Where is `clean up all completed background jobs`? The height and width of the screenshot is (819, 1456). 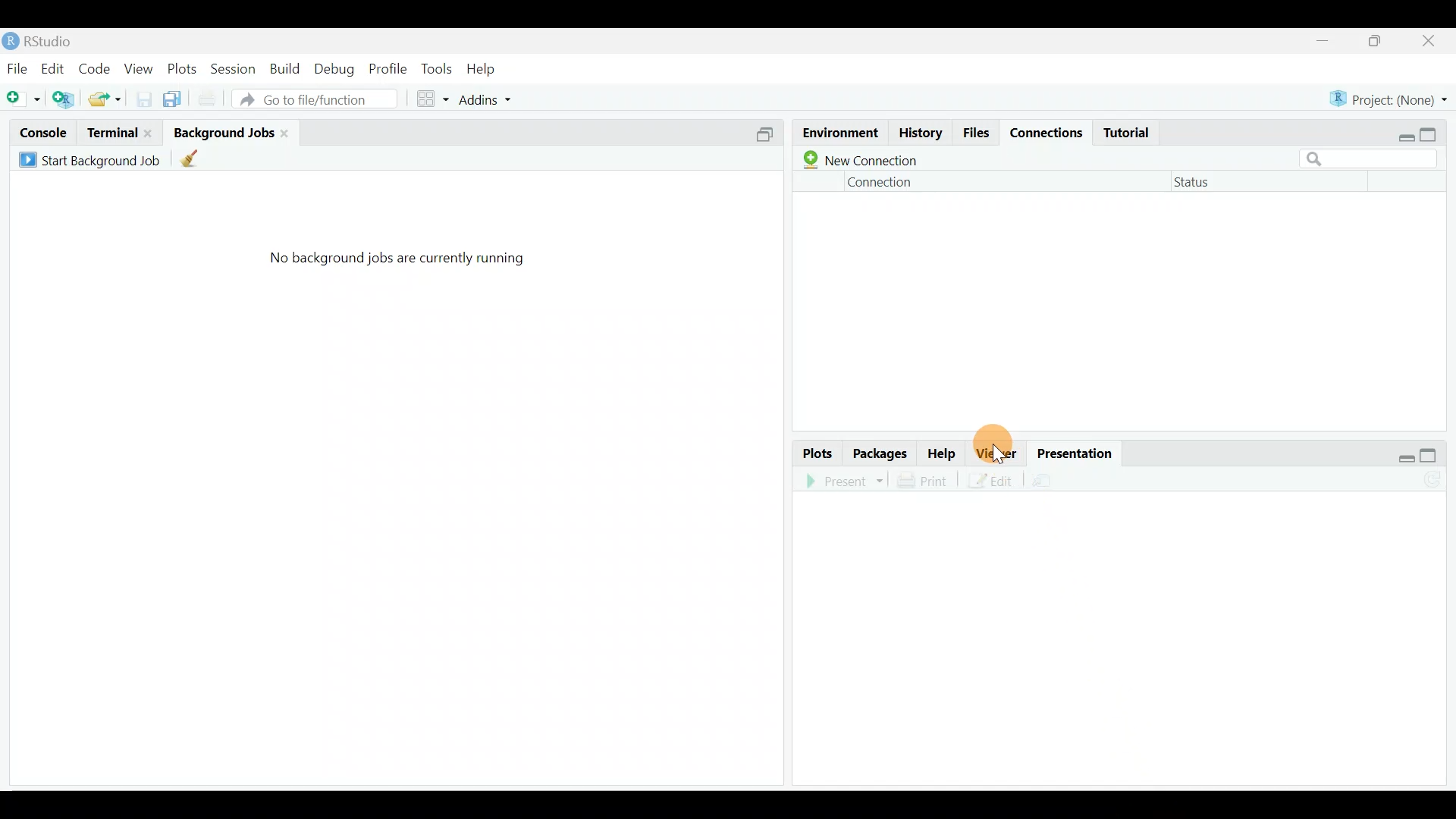 clean up all completed background jobs is located at coordinates (201, 161).